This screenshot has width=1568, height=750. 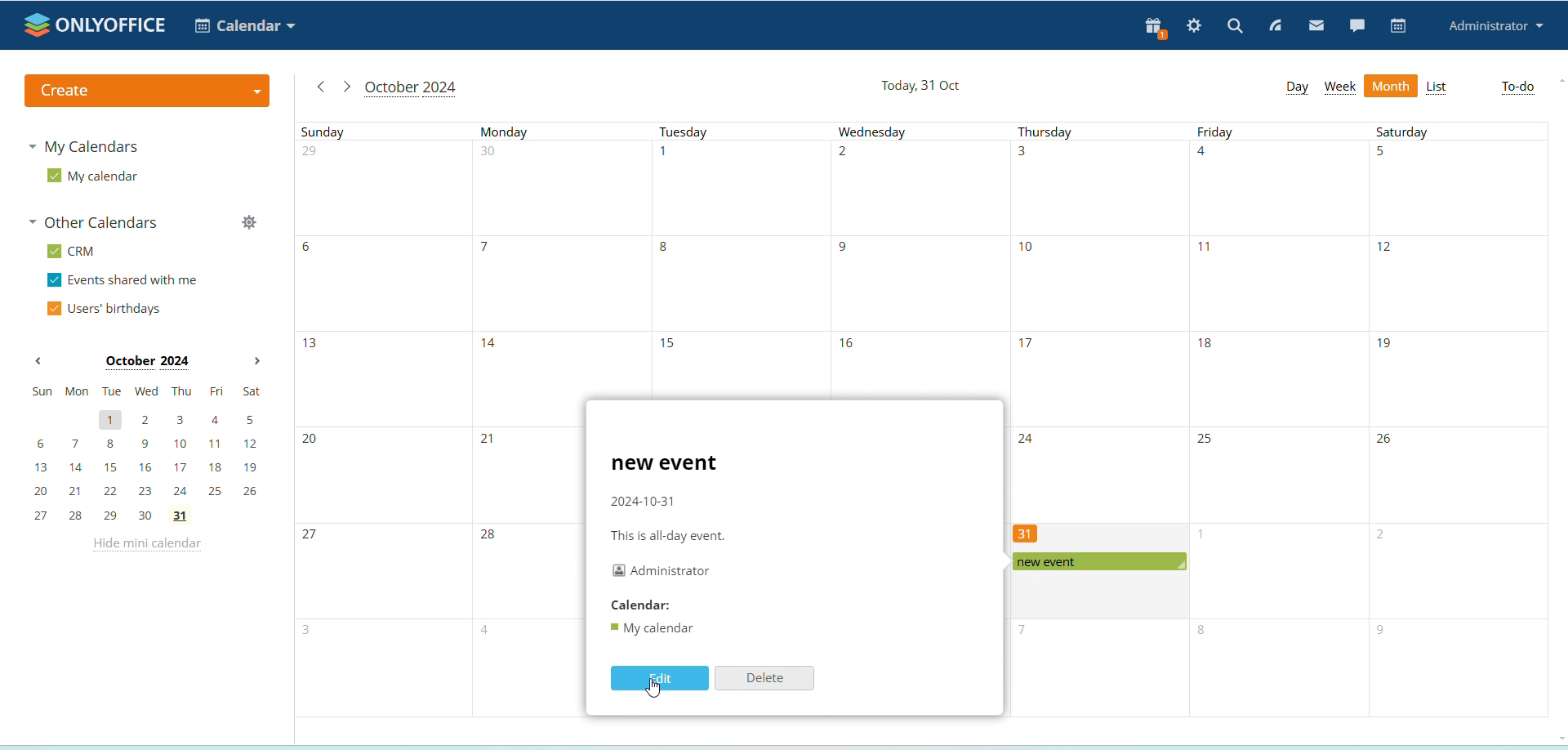 I want to click on Wednesday, so click(x=918, y=257).